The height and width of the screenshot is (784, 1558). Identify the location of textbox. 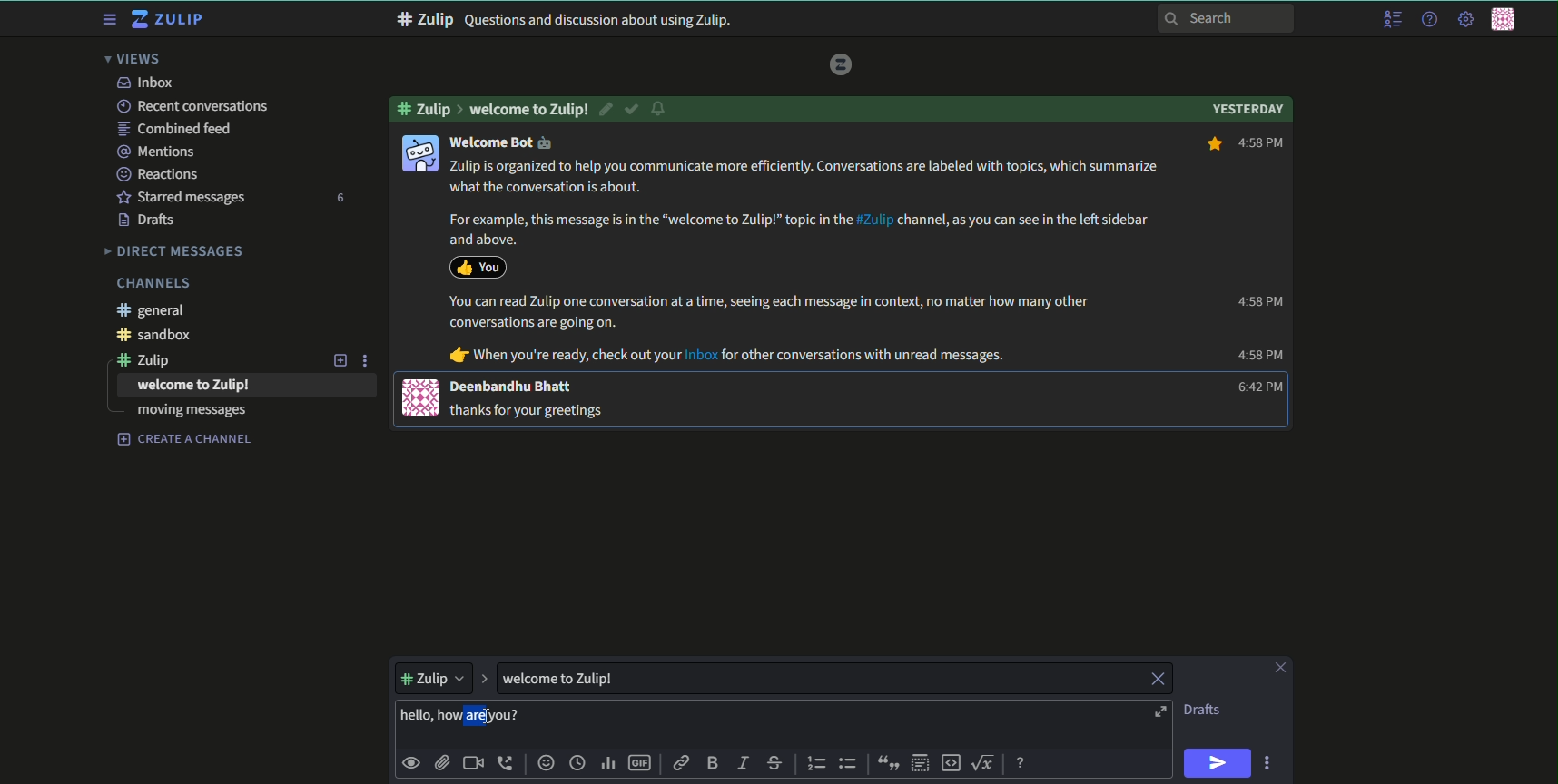
(580, 678).